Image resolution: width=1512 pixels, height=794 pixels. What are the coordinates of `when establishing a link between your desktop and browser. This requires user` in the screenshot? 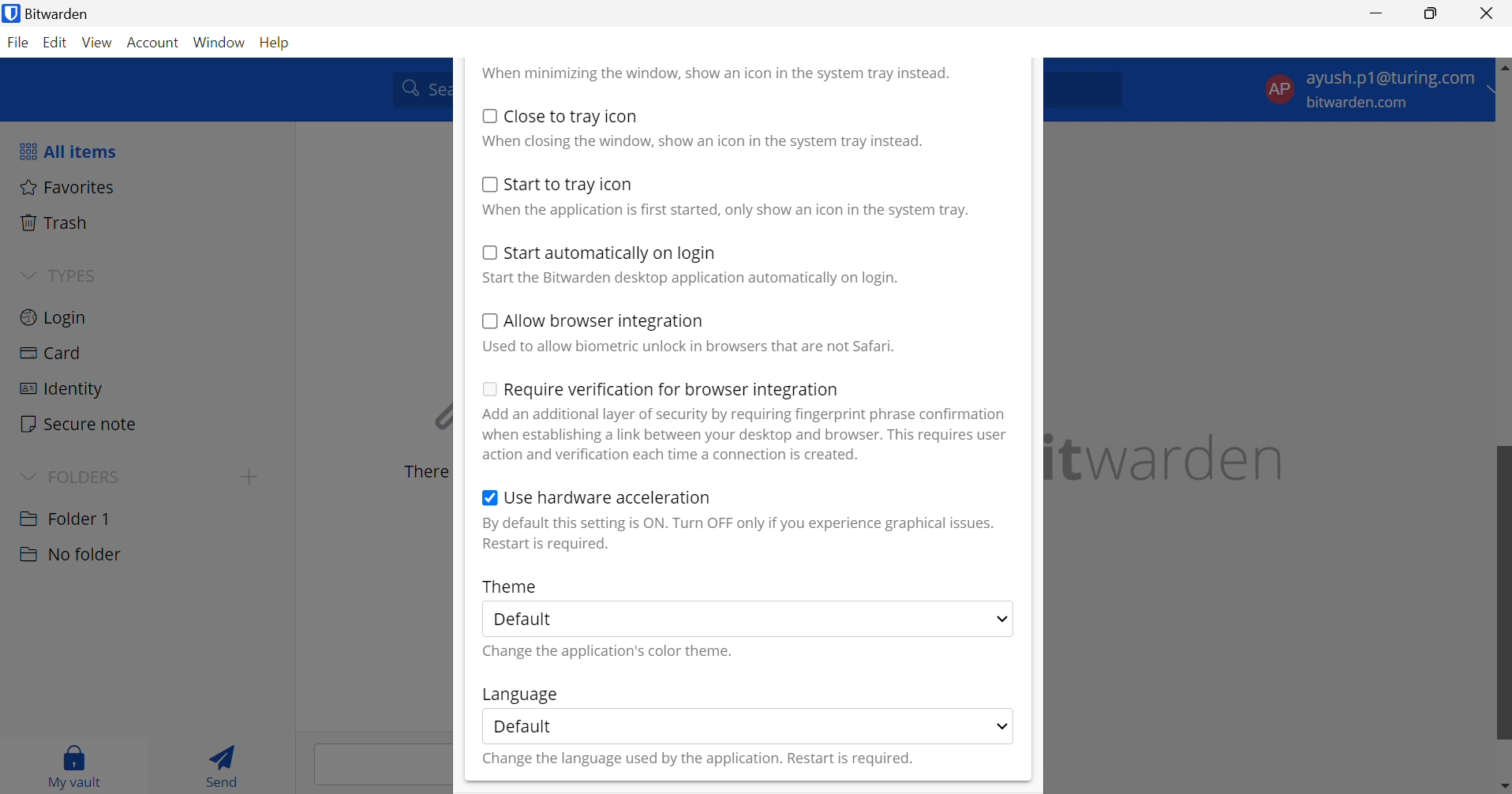 It's located at (746, 435).